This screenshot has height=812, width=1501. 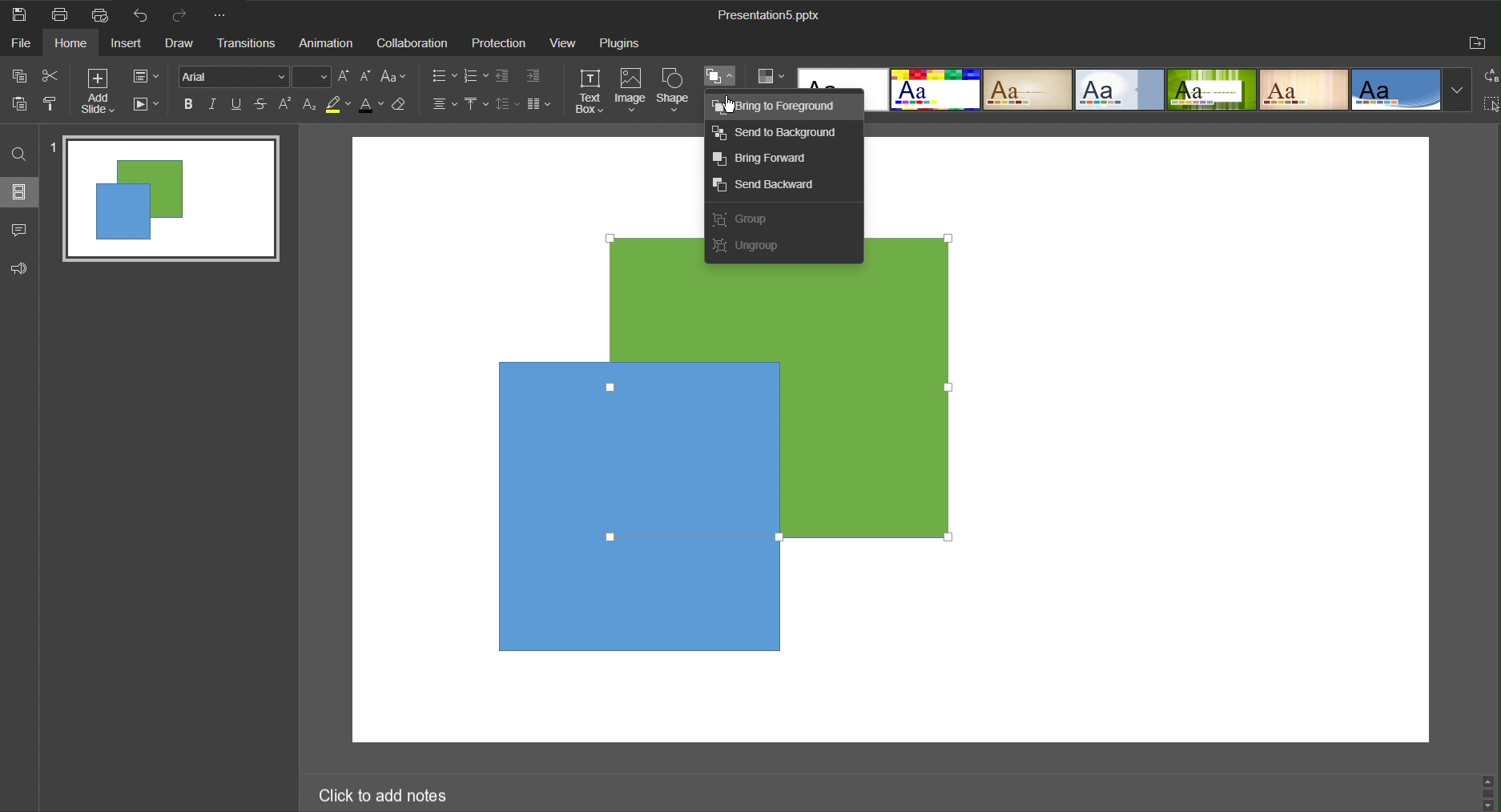 What do you see at coordinates (145, 17) in the screenshot?
I see `Undo` at bounding box center [145, 17].